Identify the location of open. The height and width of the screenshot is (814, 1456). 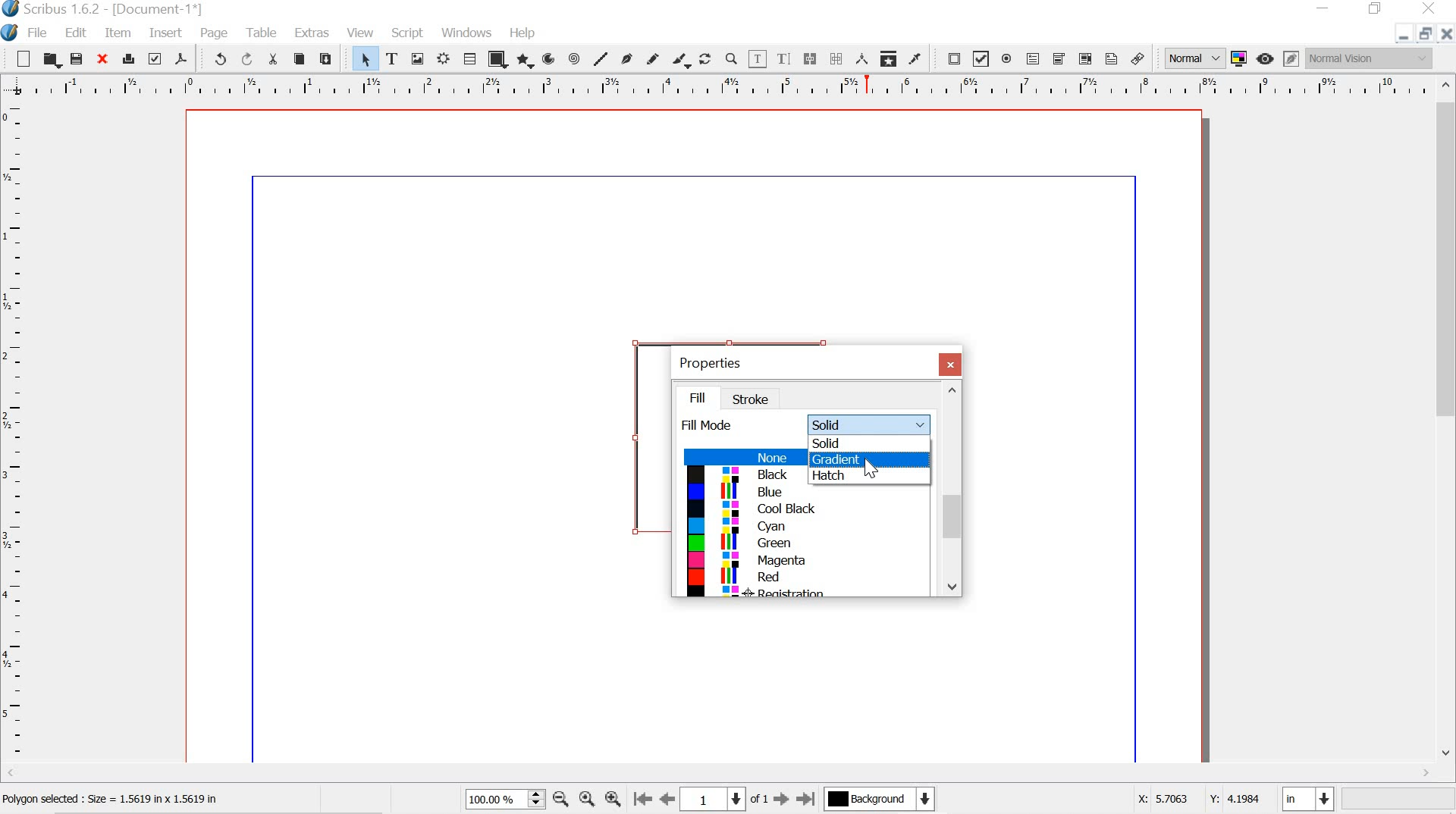
(52, 59).